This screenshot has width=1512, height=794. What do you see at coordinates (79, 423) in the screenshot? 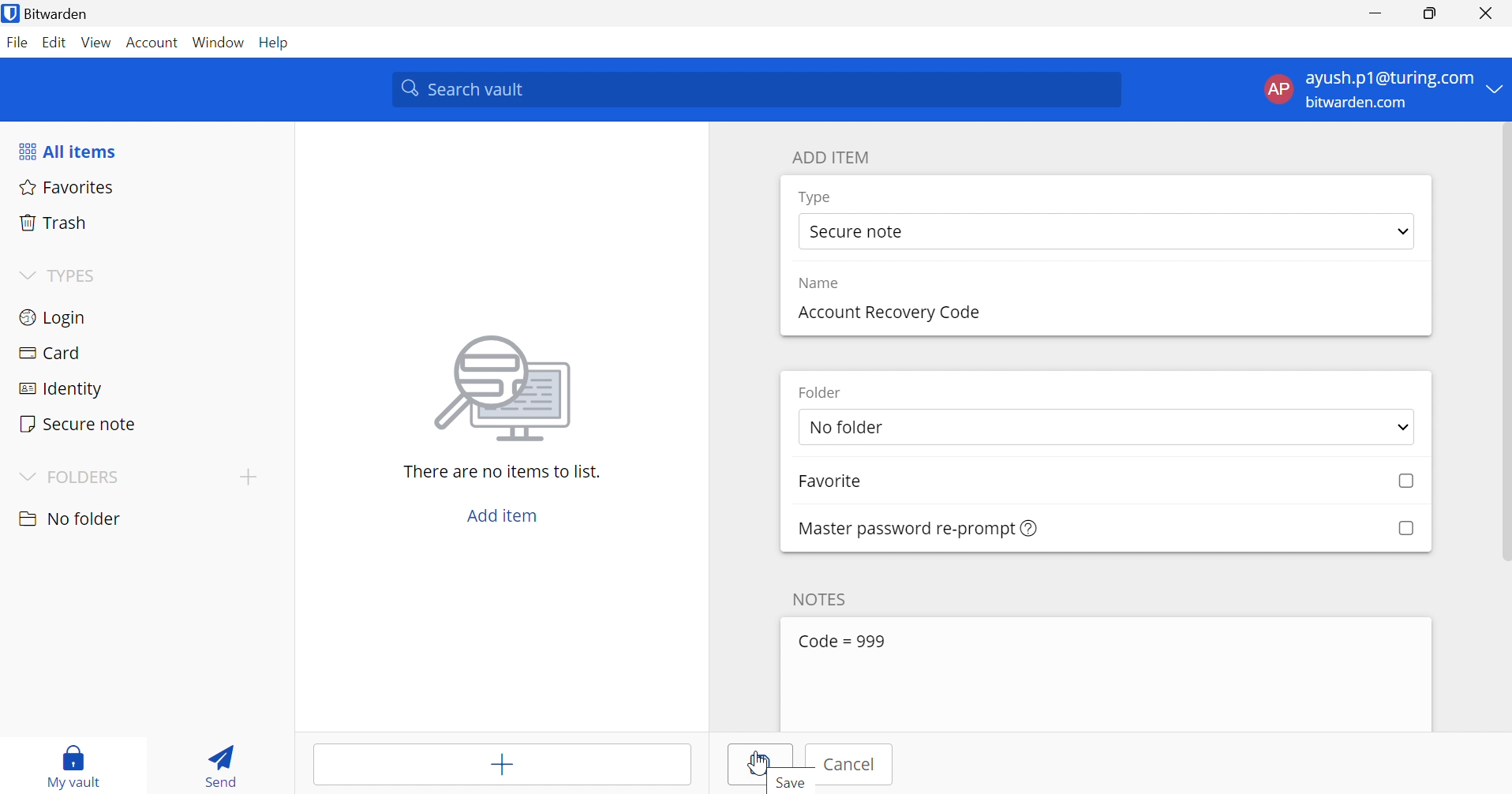
I see `Secure note` at bounding box center [79, 423].